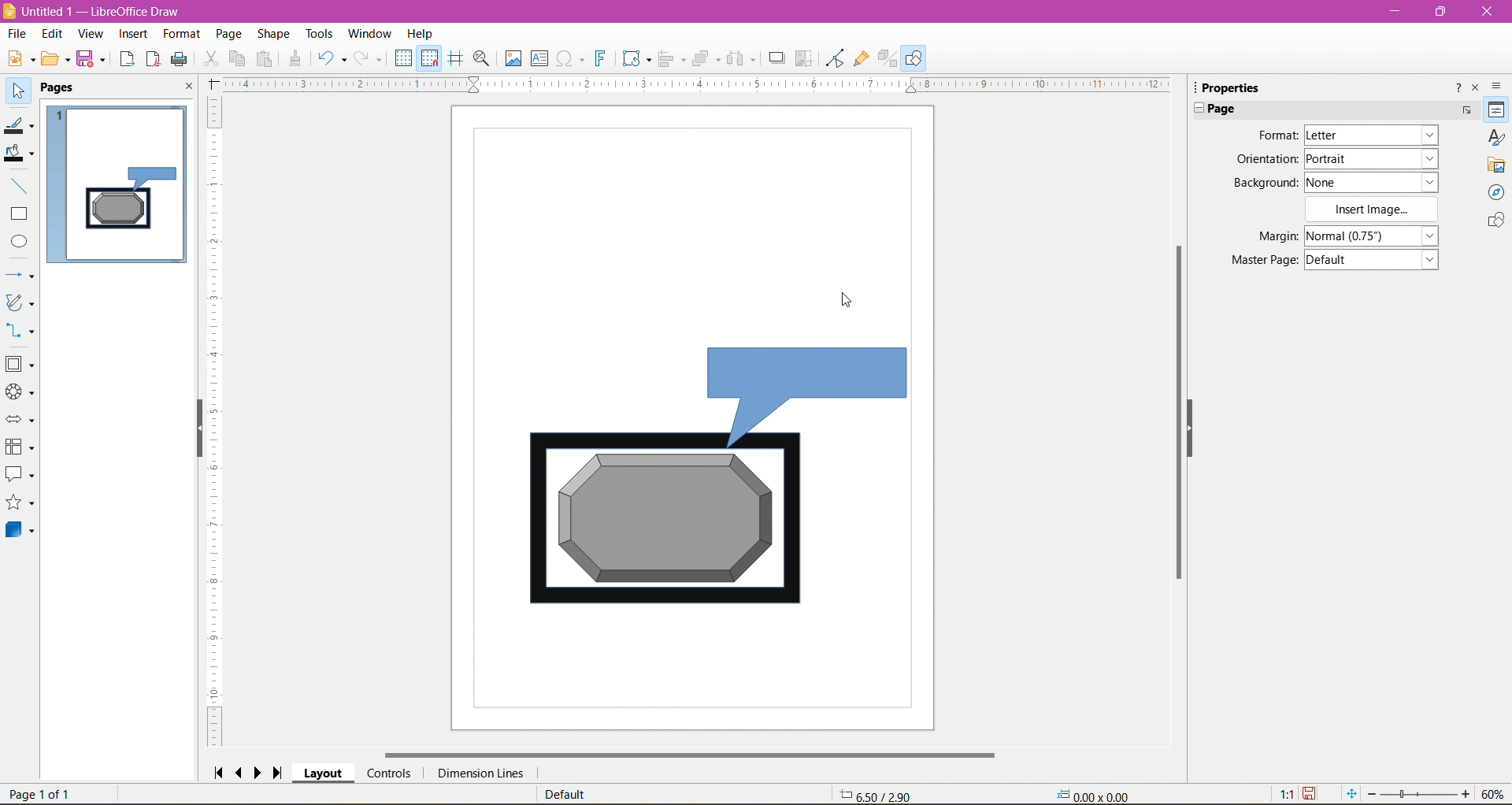  What do you see at coordinates (273, 33) in the screenshot?
I see `Shape` at bounding box center [273, 33].